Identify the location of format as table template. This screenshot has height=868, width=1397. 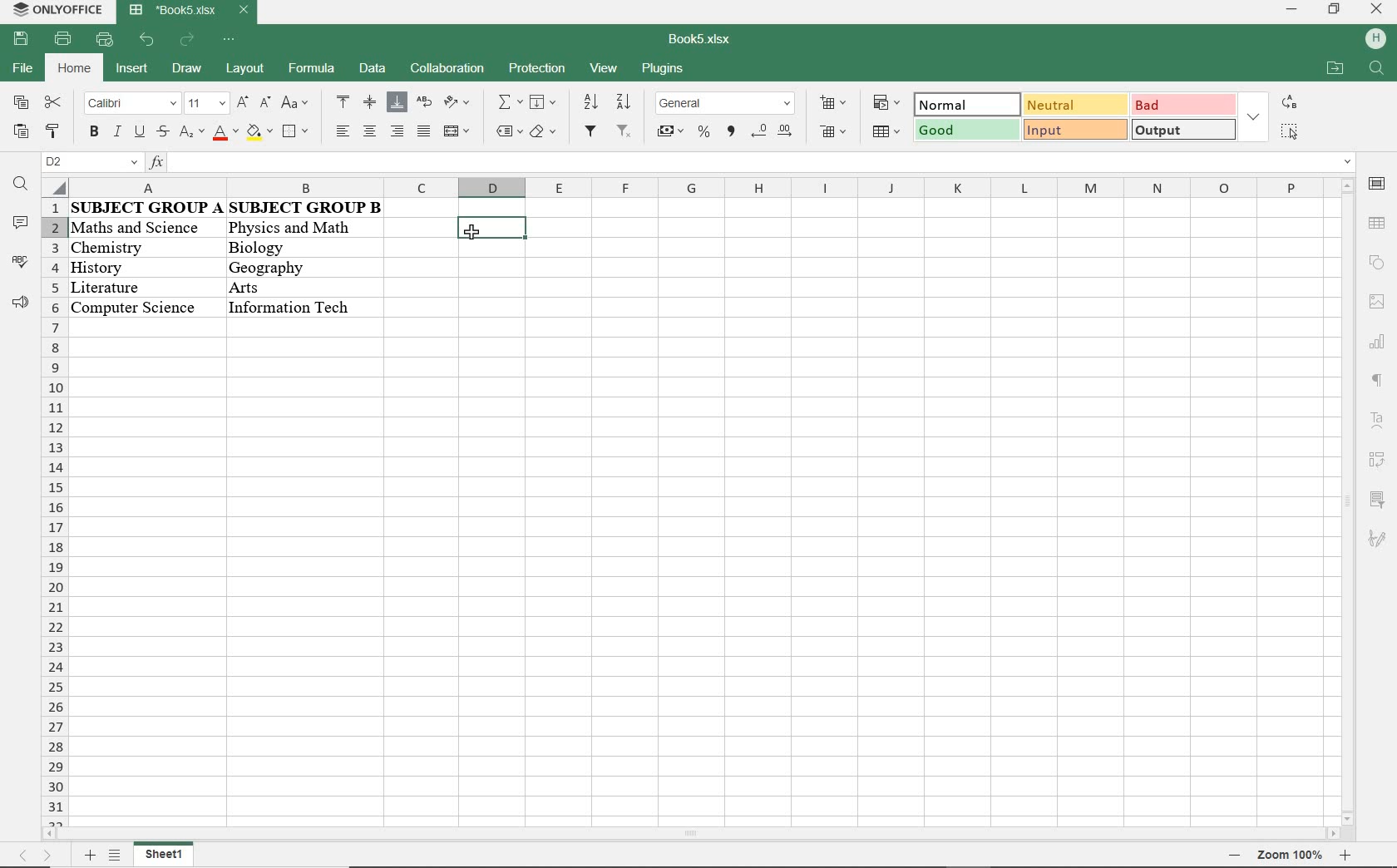
(889, 134).